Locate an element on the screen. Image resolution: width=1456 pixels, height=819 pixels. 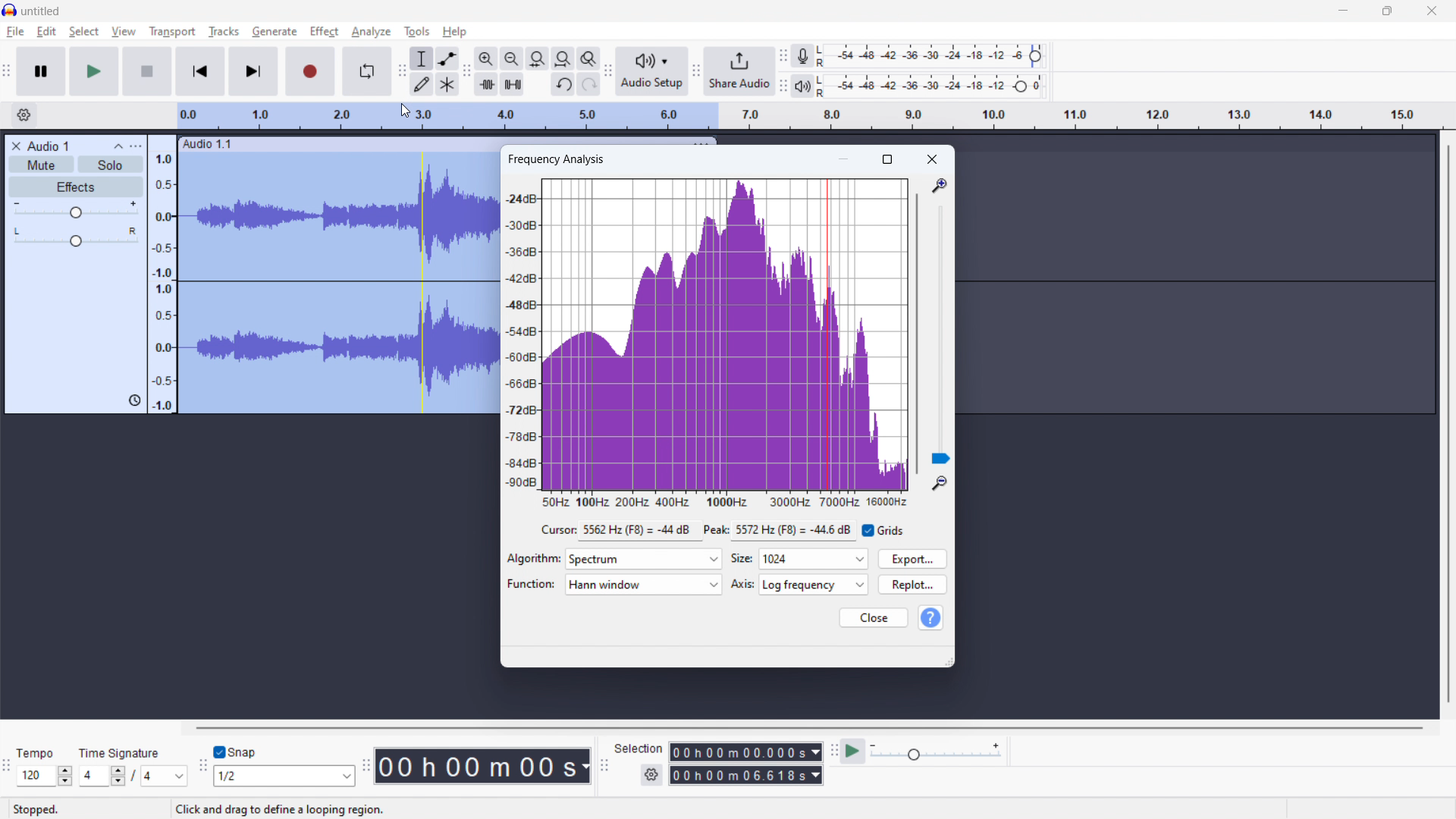
edit is located at coordinates (47, 32).